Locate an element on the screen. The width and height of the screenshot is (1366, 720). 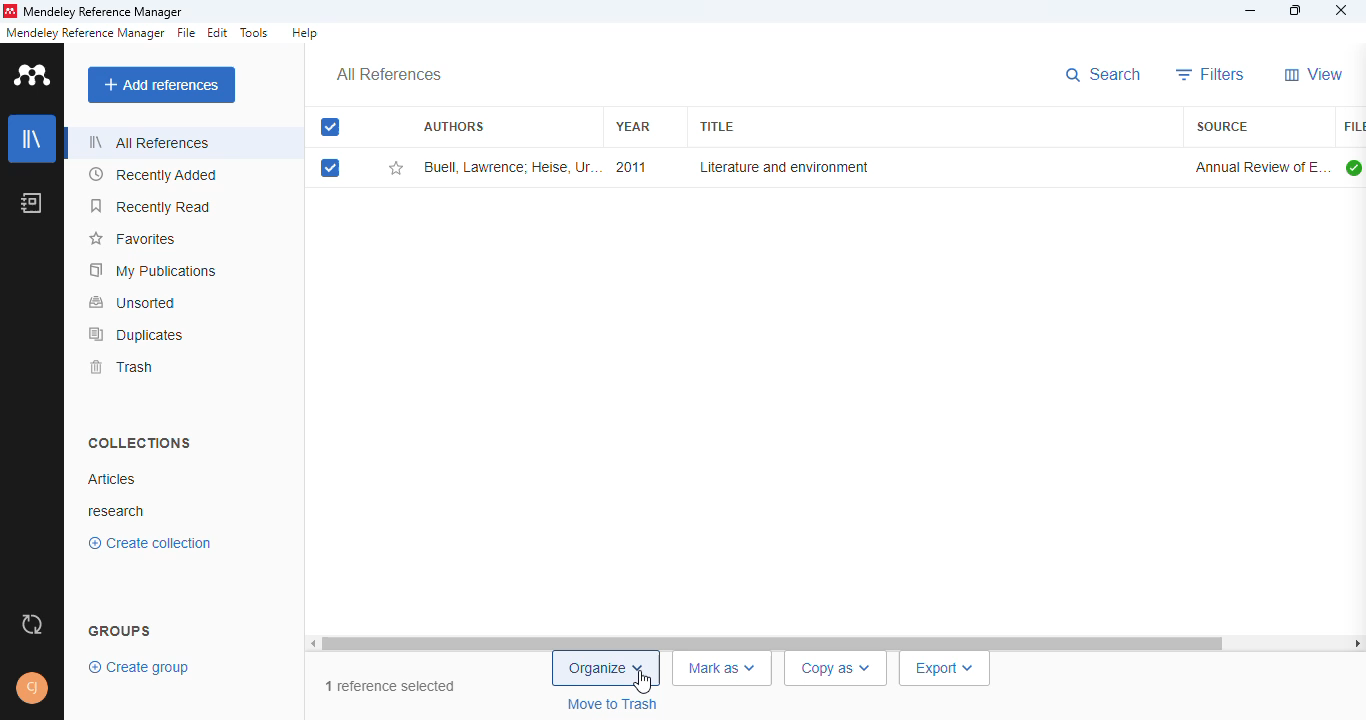
all references is located at coordinates (388, 75).